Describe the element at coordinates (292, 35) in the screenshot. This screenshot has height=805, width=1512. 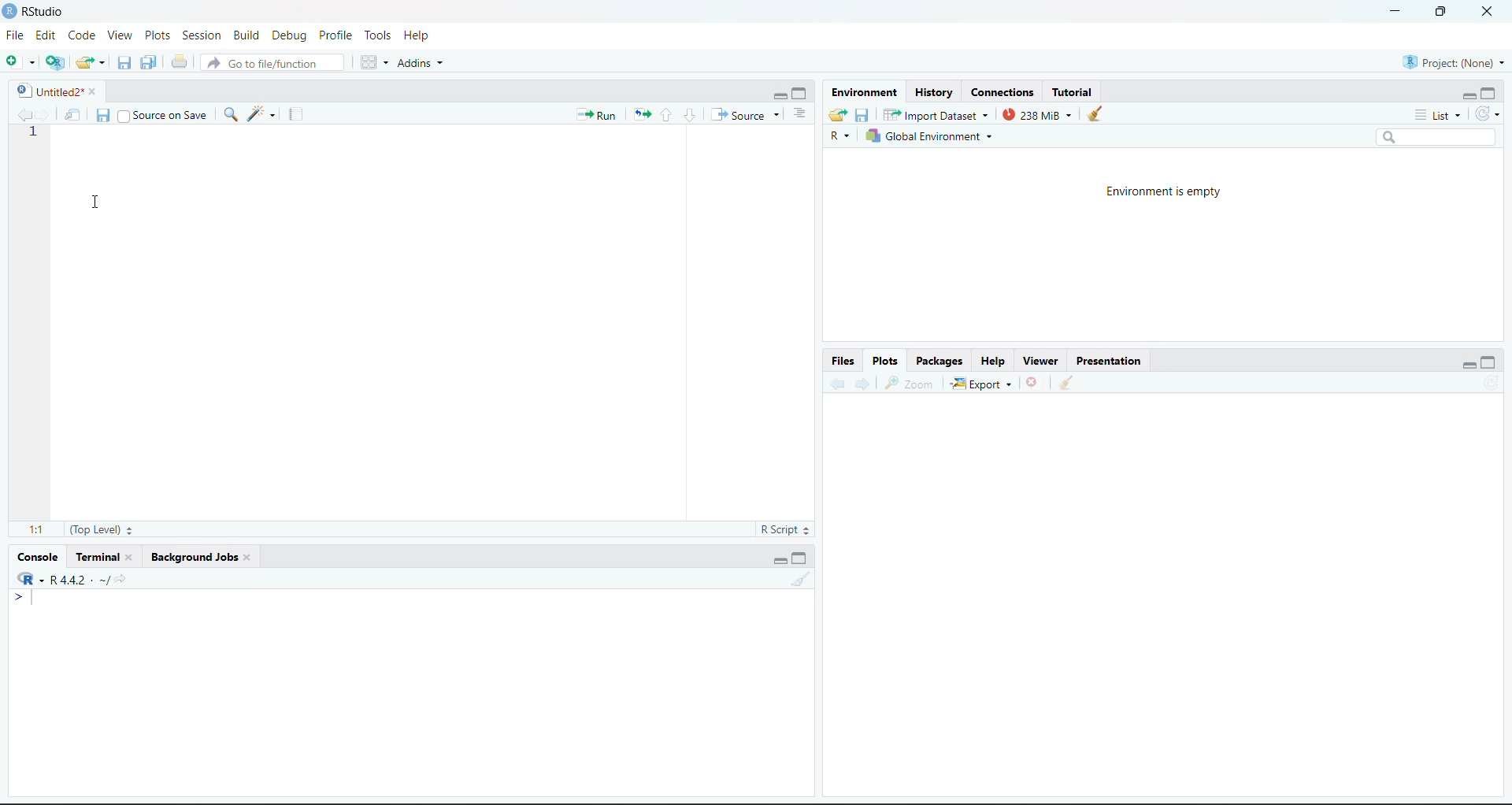
I see `Debug` at that location.